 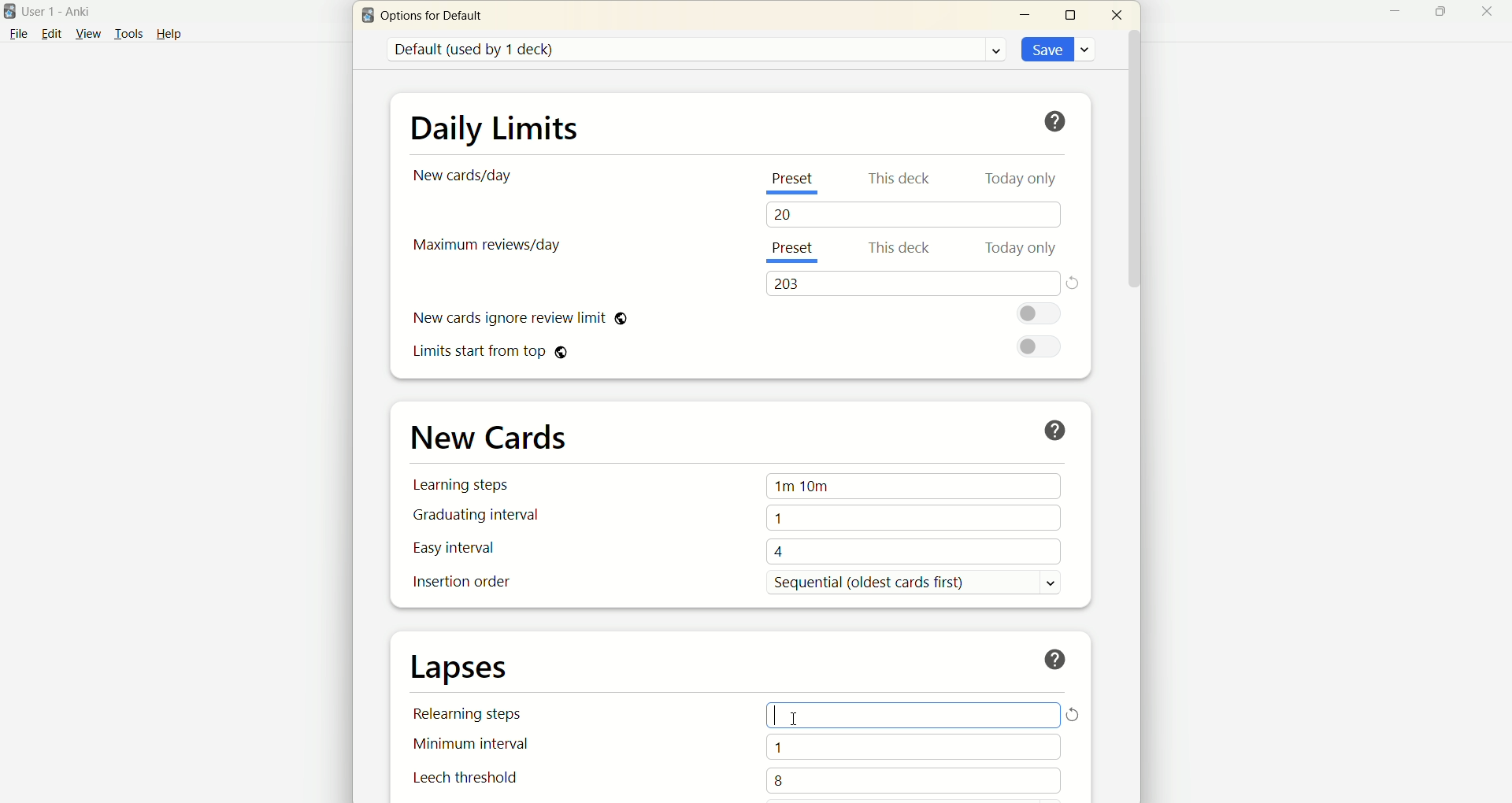 I want to click on logo, so click(x=366, y=16).